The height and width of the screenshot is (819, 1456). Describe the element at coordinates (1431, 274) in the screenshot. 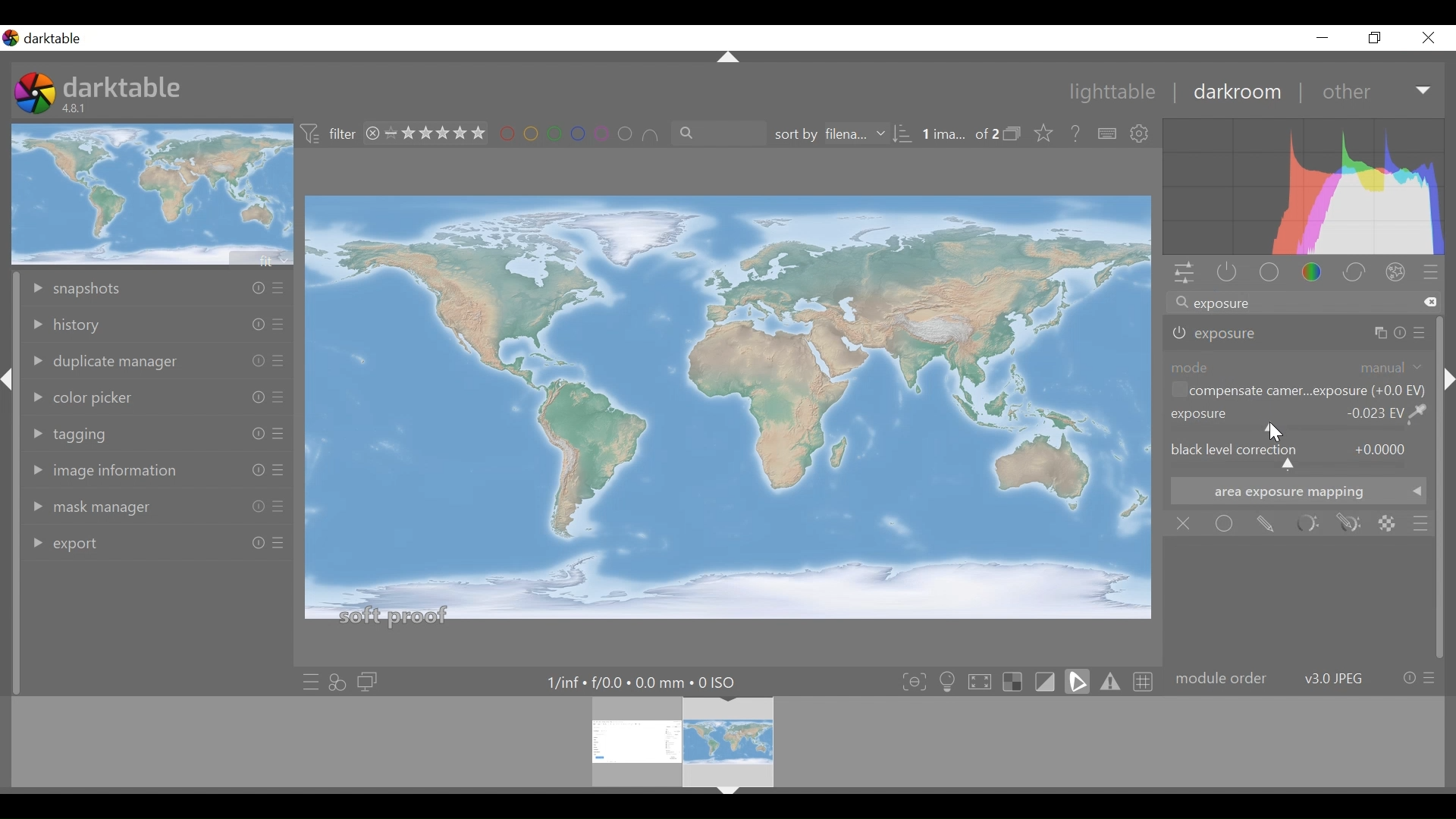

I see `presets` at that location.